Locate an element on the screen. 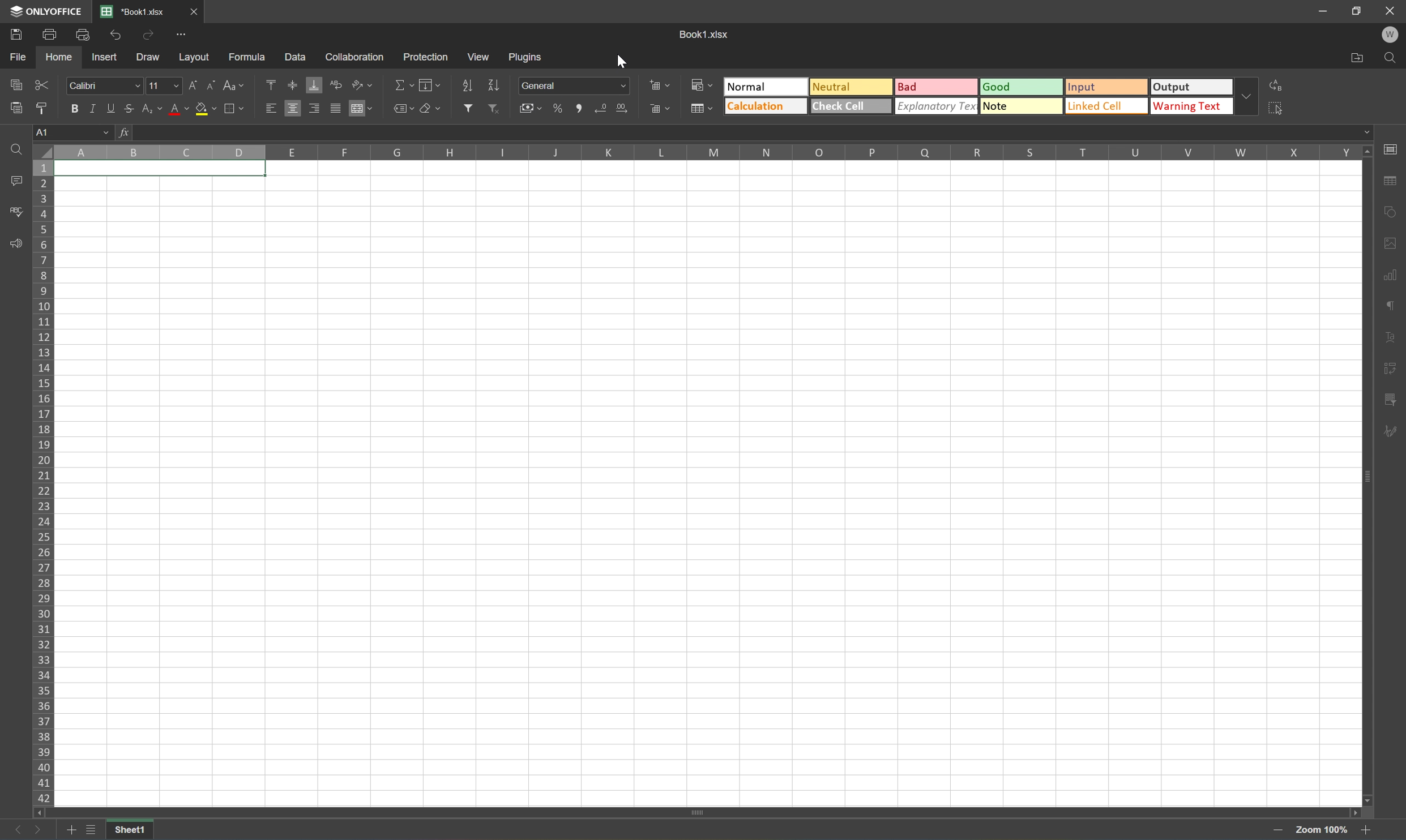 The image size is (1406, 840). Clear is located at coordinates (433, 107).